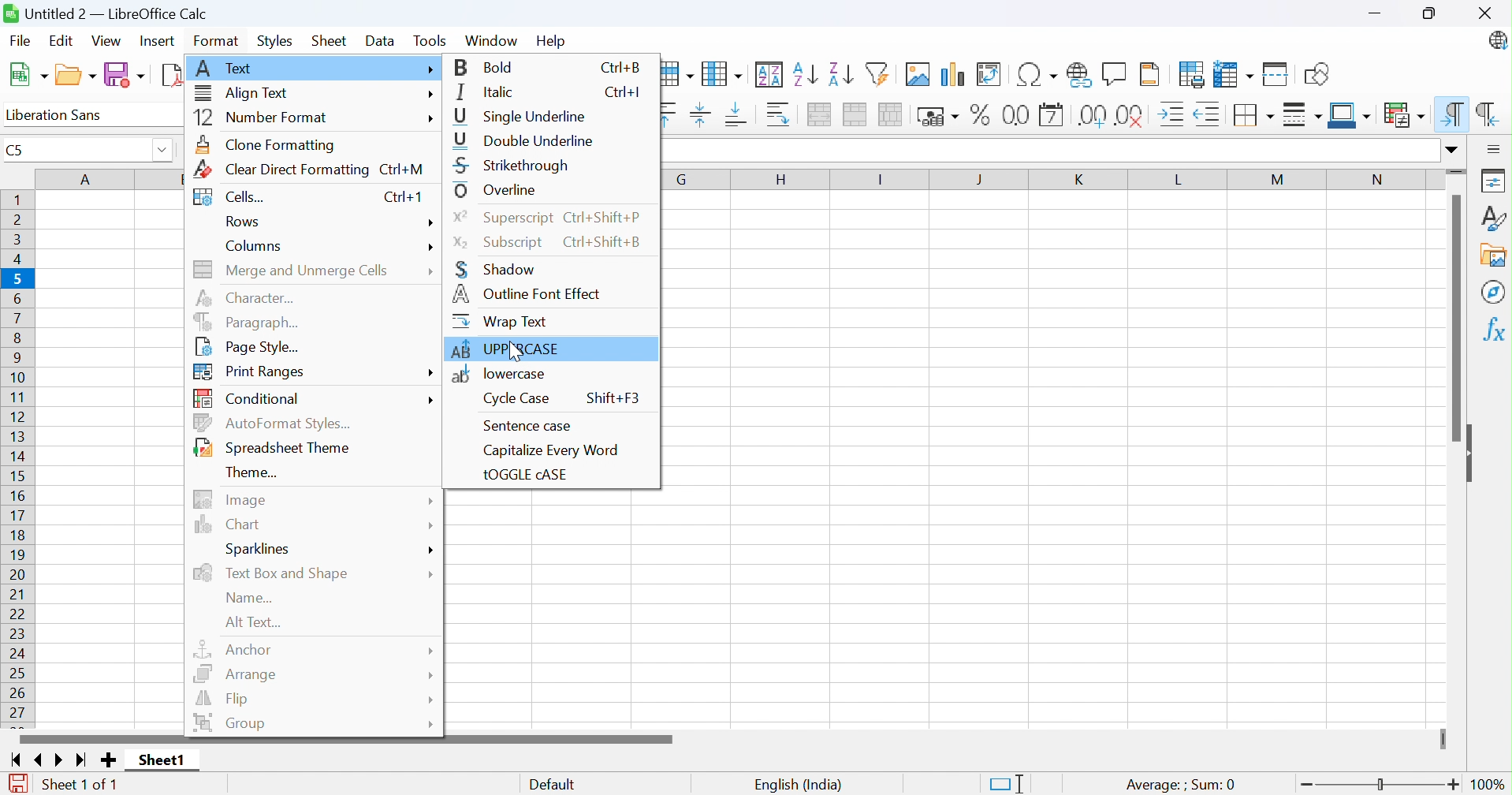  Describe the element at coordinates (228, 195) in the screenshot. I see `Cells` at that location.